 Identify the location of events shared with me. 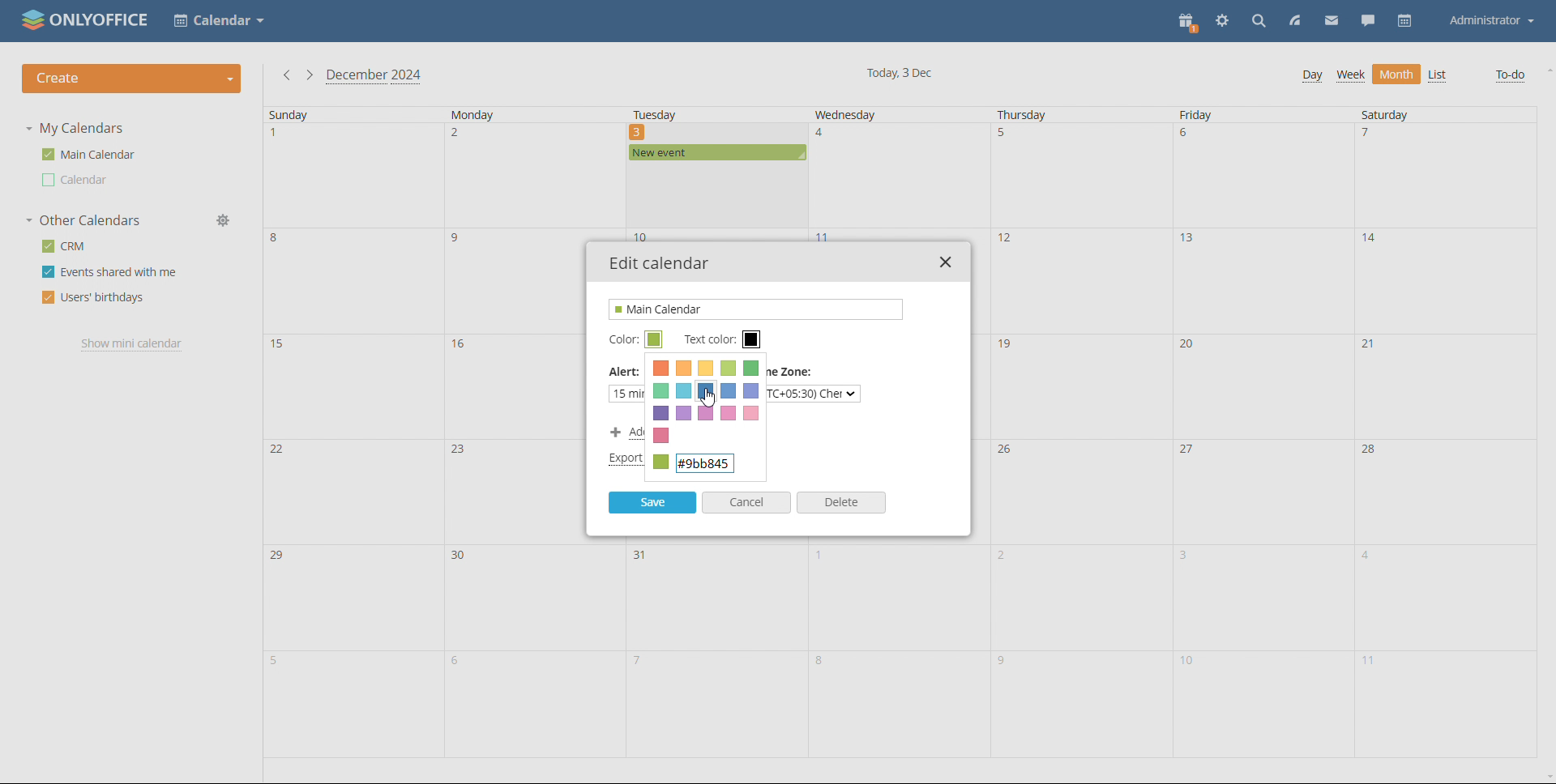
(110, 272).